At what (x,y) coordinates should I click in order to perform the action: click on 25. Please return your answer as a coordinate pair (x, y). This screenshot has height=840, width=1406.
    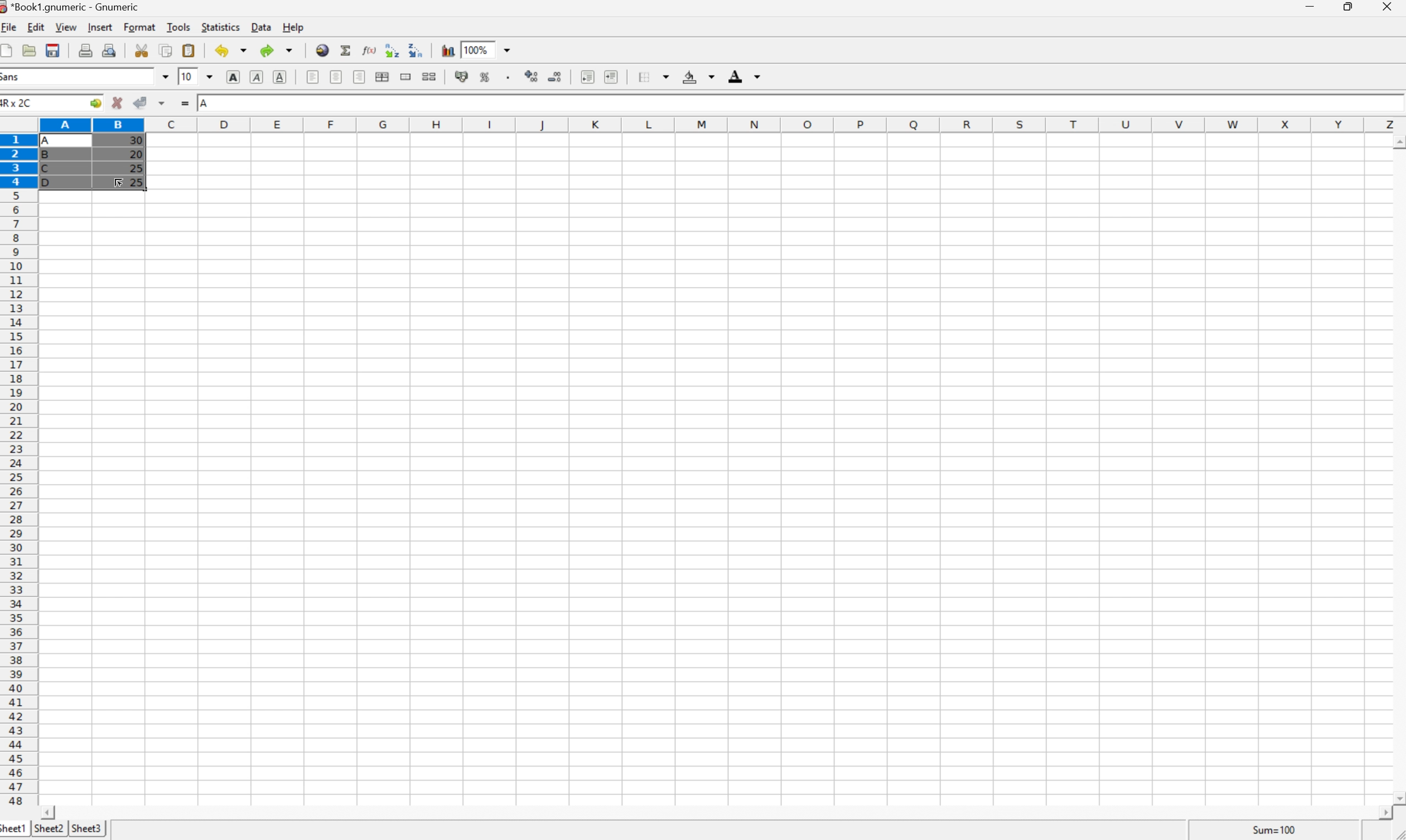
    Looking at the image, I should click on (135, 168).